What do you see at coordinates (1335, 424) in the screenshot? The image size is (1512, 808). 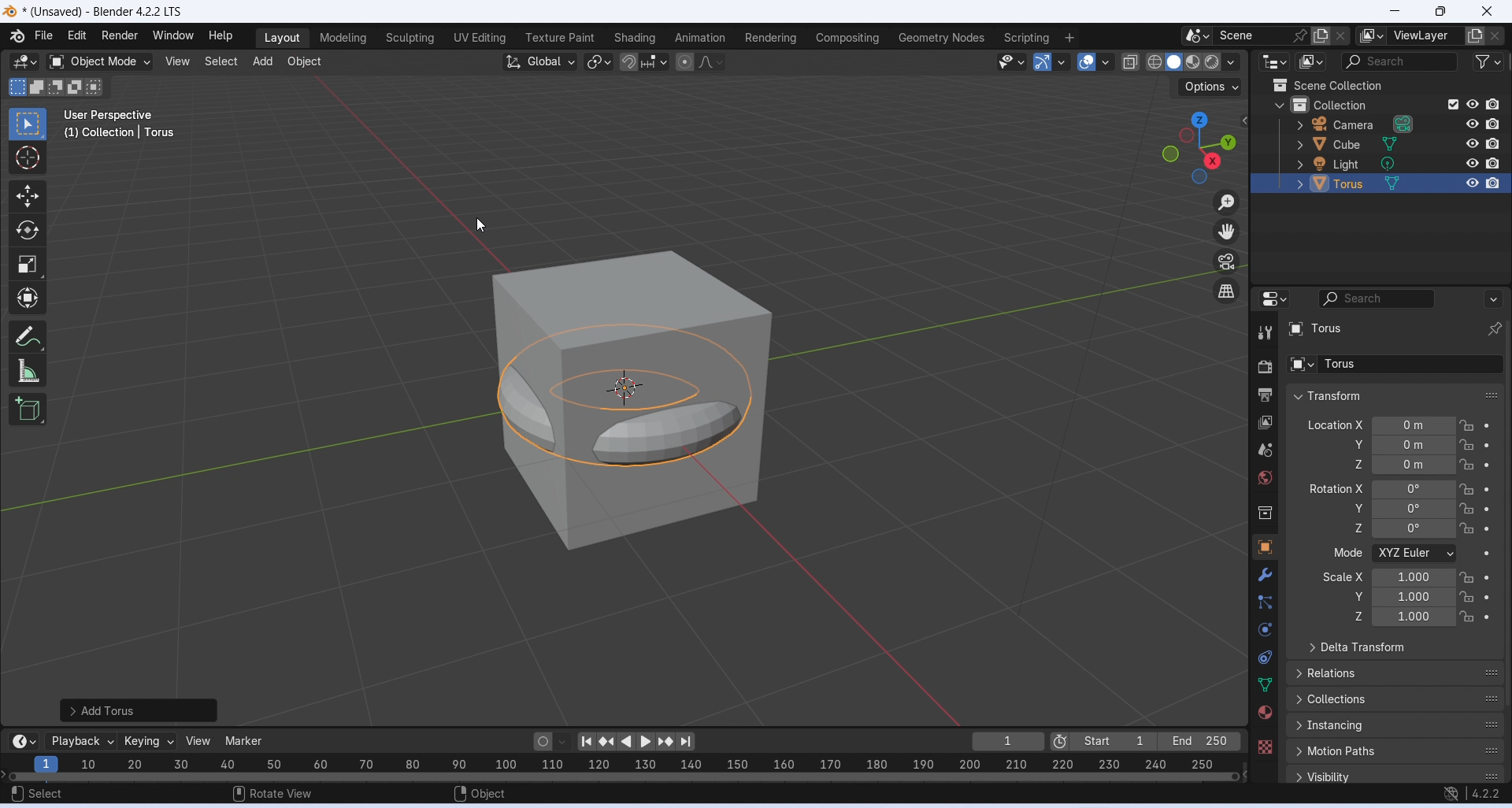 I see `Location X` at bounding box center [1335, 424].